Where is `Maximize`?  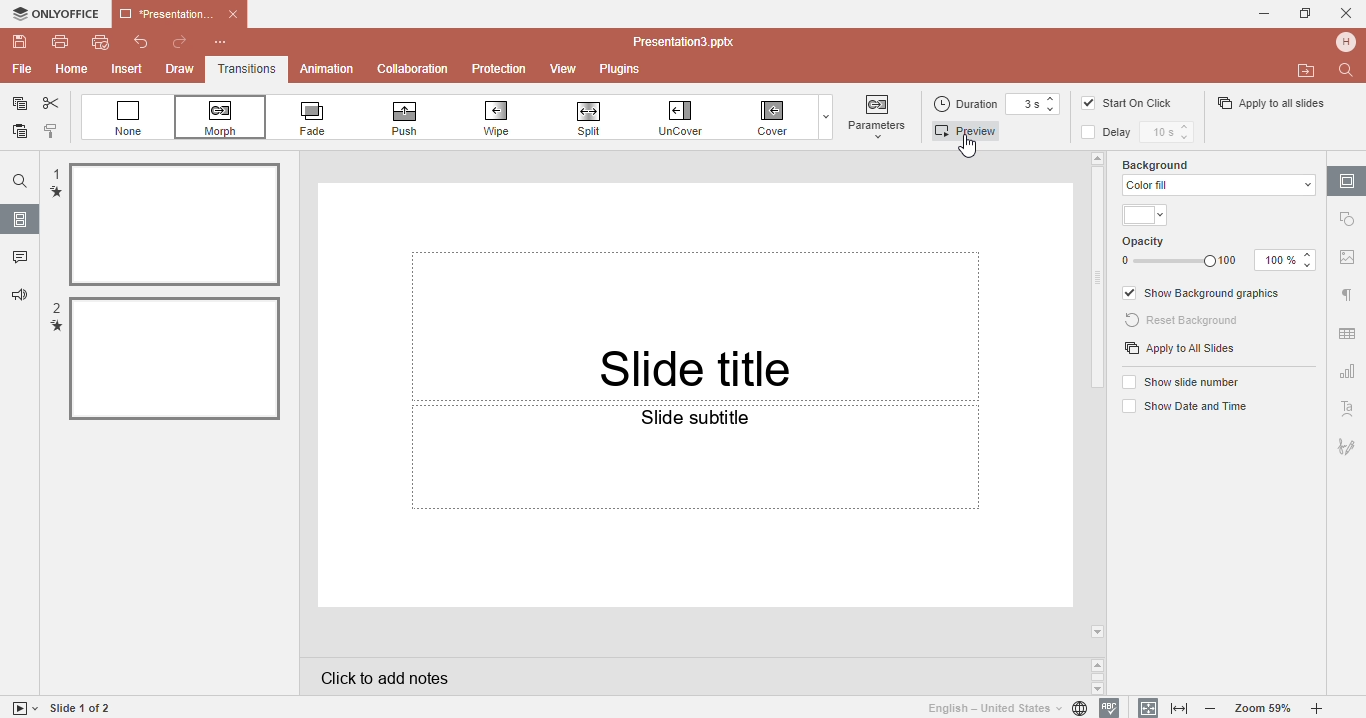 Maximize is located at coordinates (1306, 12).